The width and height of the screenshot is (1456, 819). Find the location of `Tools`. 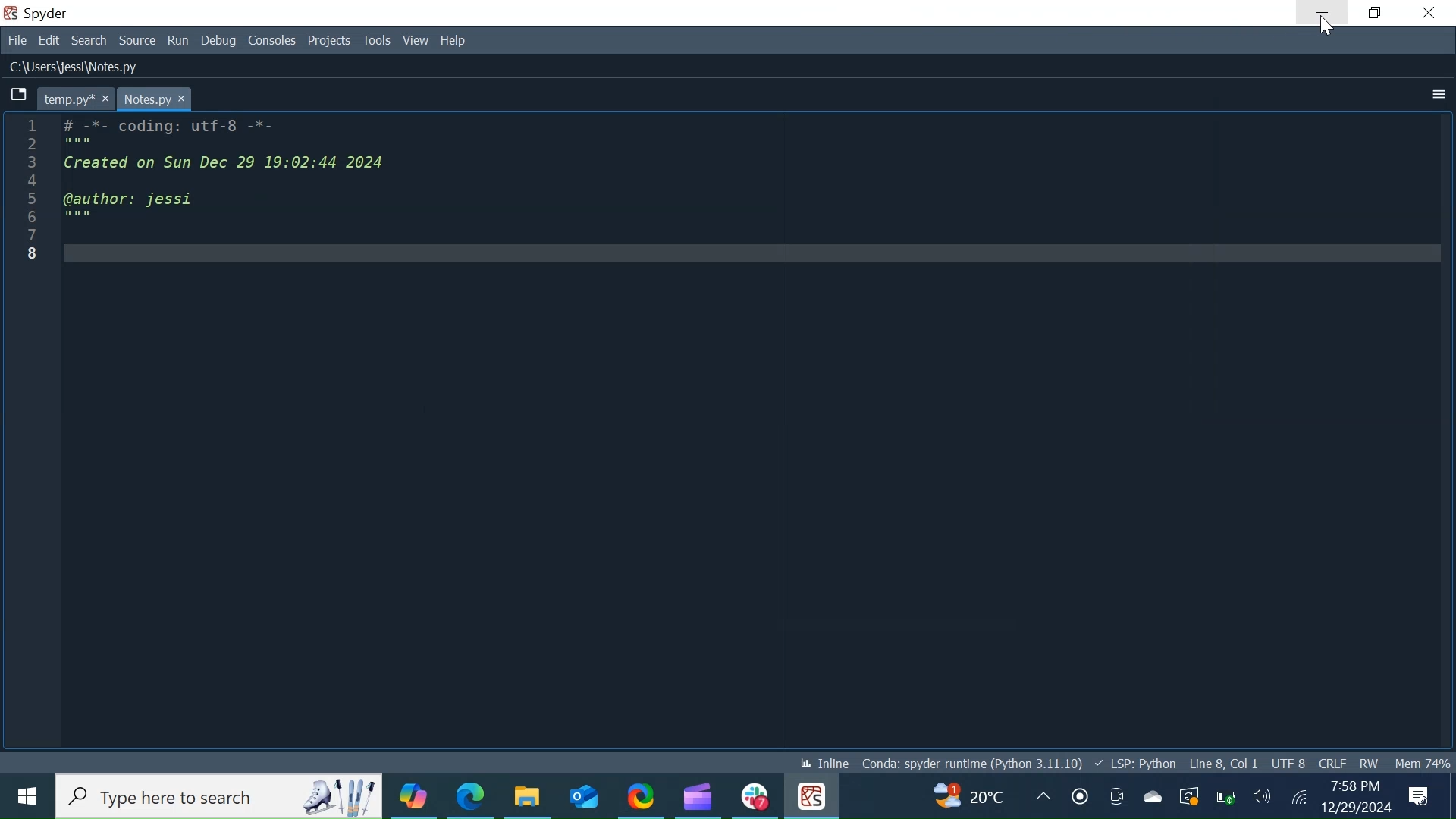

Tools is located at coordinates (378, 42).